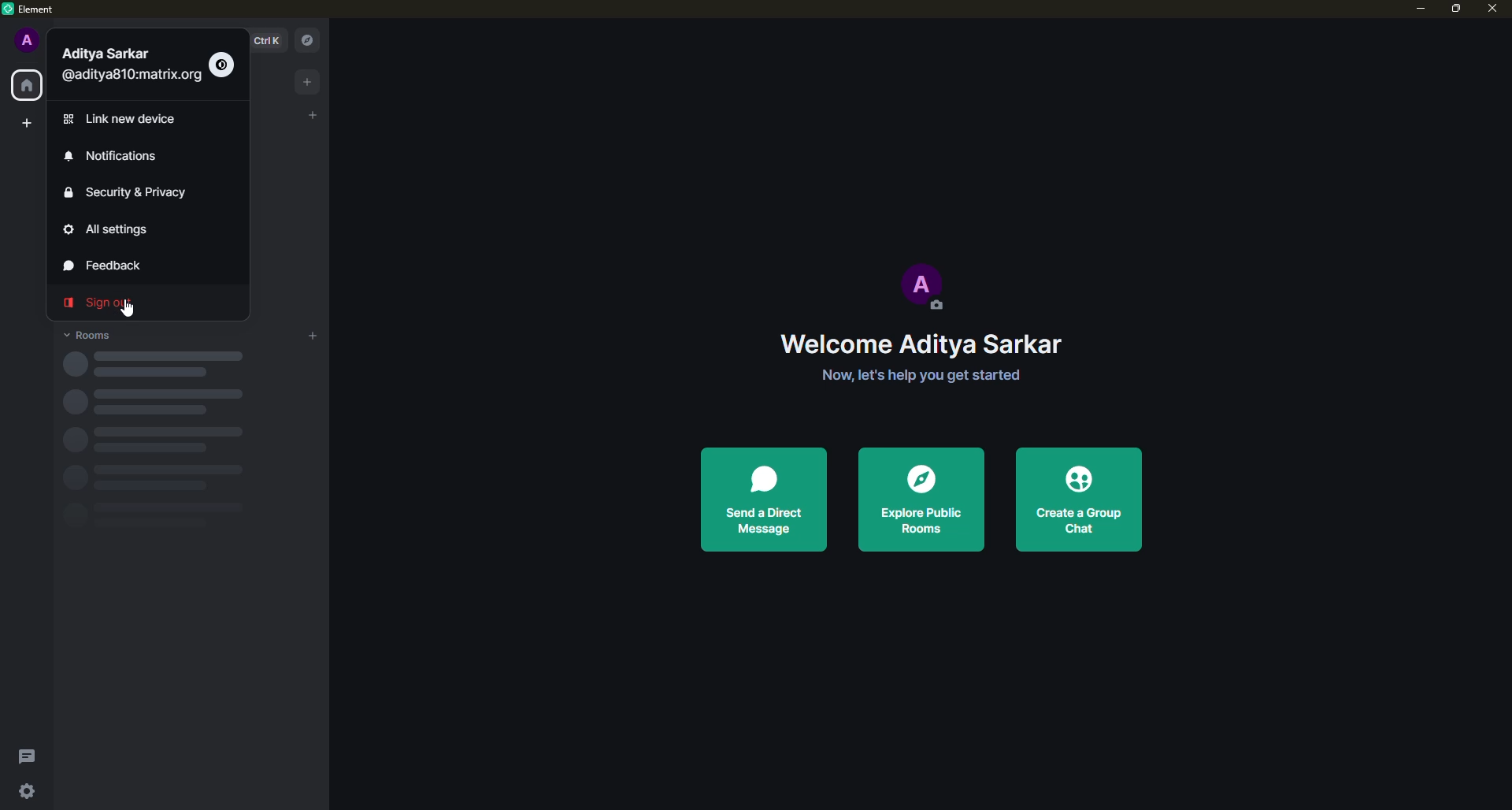 This screenshot has width=1512, height=810. I want to click on threads, so click(24, 757).